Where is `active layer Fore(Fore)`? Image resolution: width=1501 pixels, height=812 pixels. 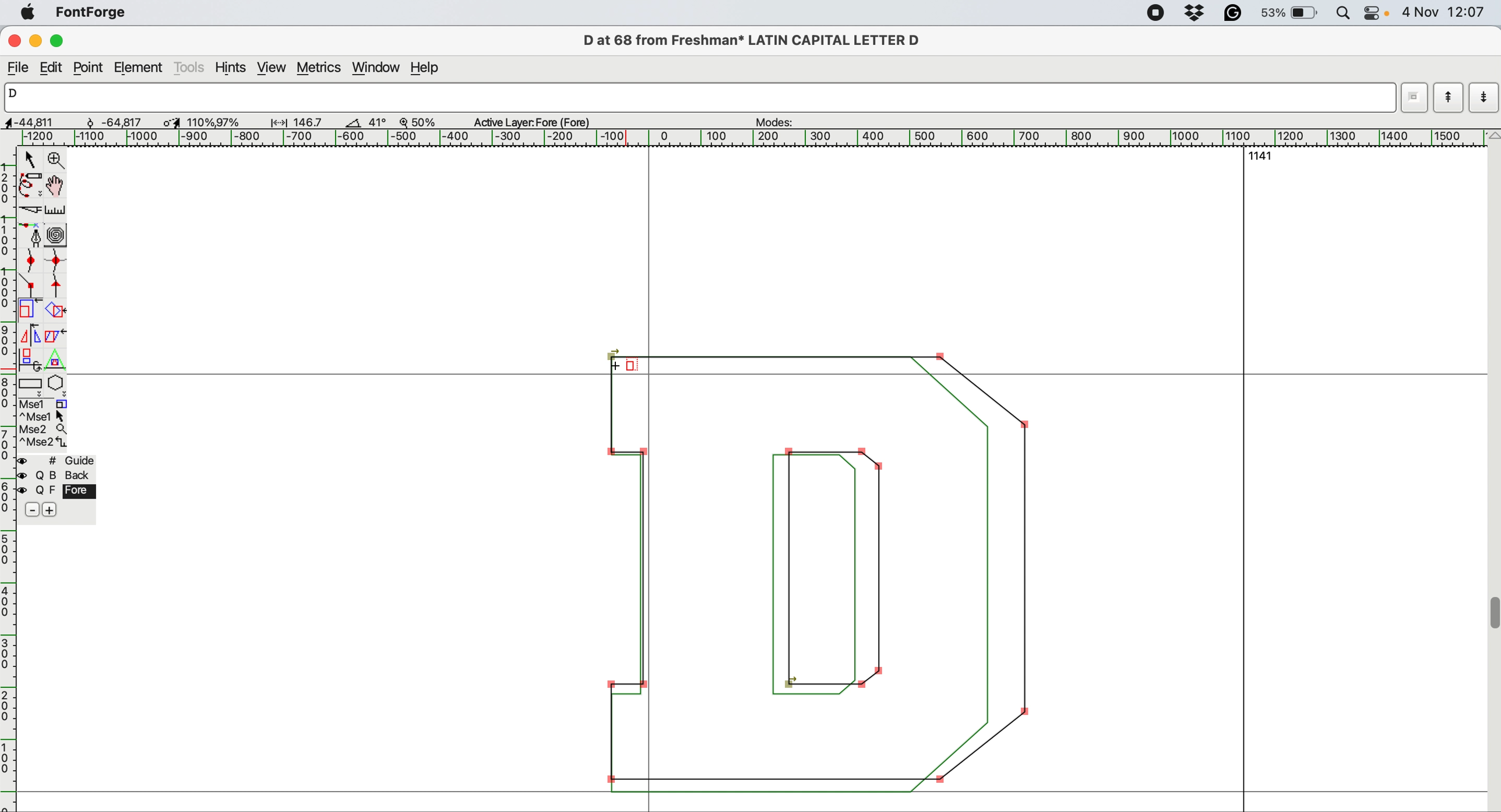 active layer Fore(Fore) is located at coordinates (537, 123).